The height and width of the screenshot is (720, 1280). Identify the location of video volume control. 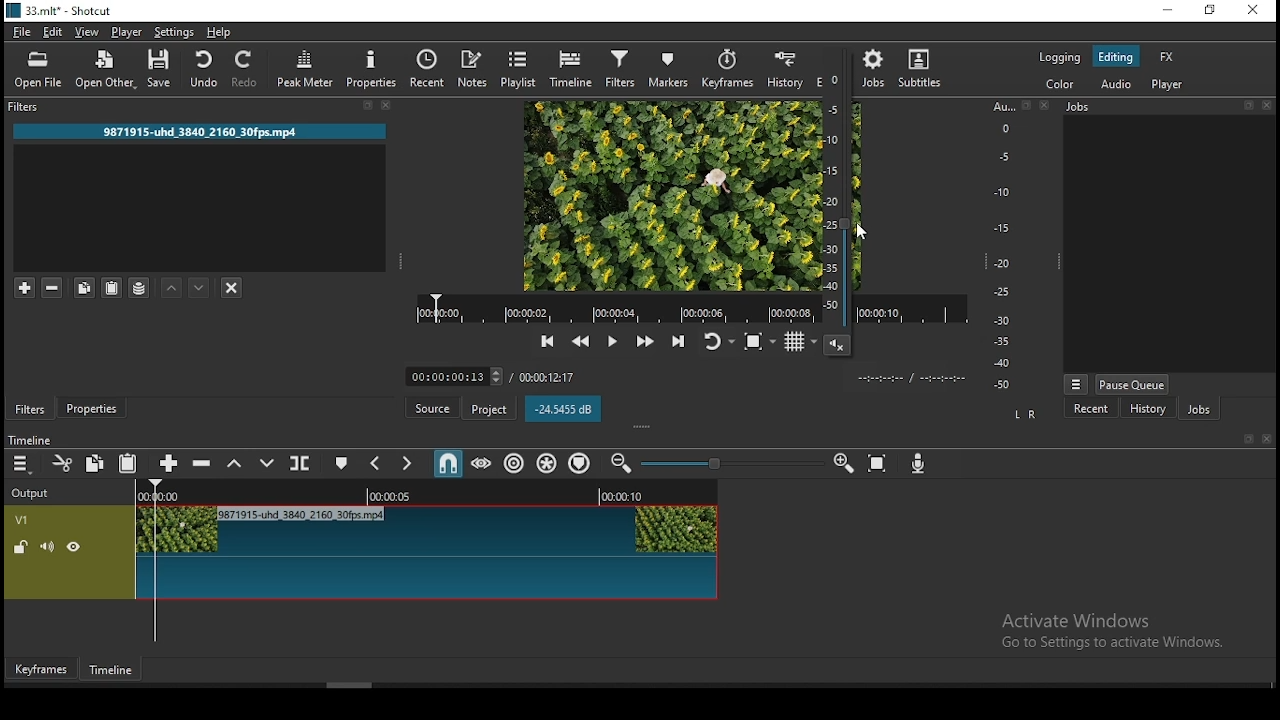
(835, 209).